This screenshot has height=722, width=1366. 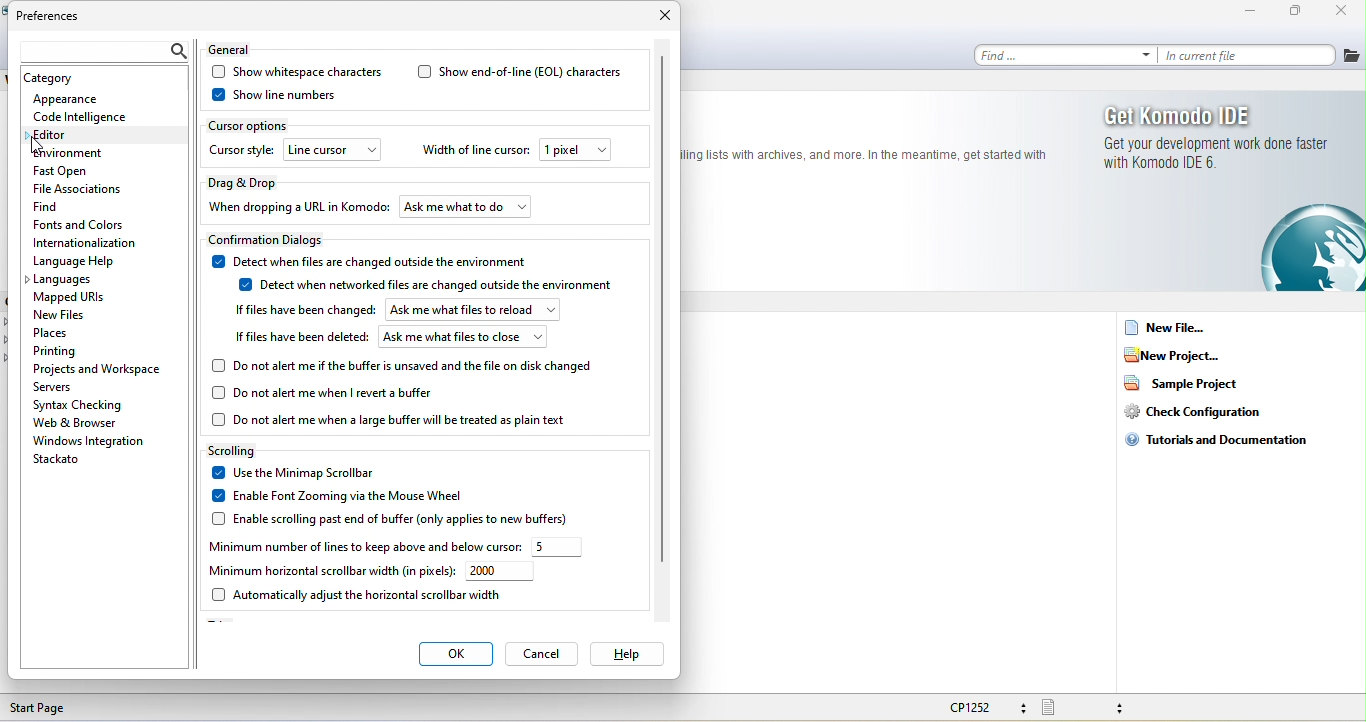 What do you see at coordinates (74, 153) in the screenshot?
I see `environment` at bounding box center [74, 153].